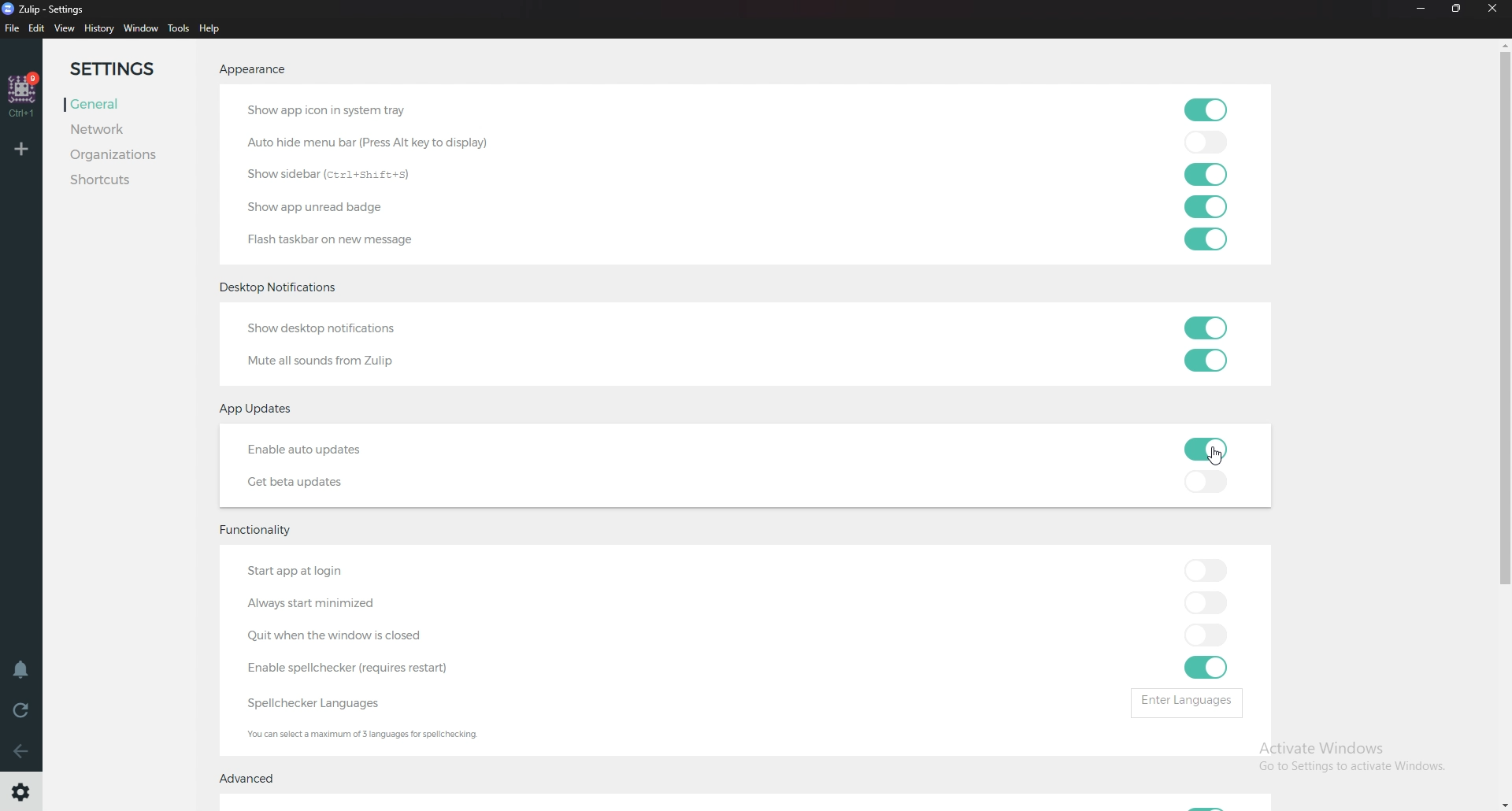  What do you see at coordinates (124, 69) in the screenshot?
I see `Settings` at bounding box center [124, 69].